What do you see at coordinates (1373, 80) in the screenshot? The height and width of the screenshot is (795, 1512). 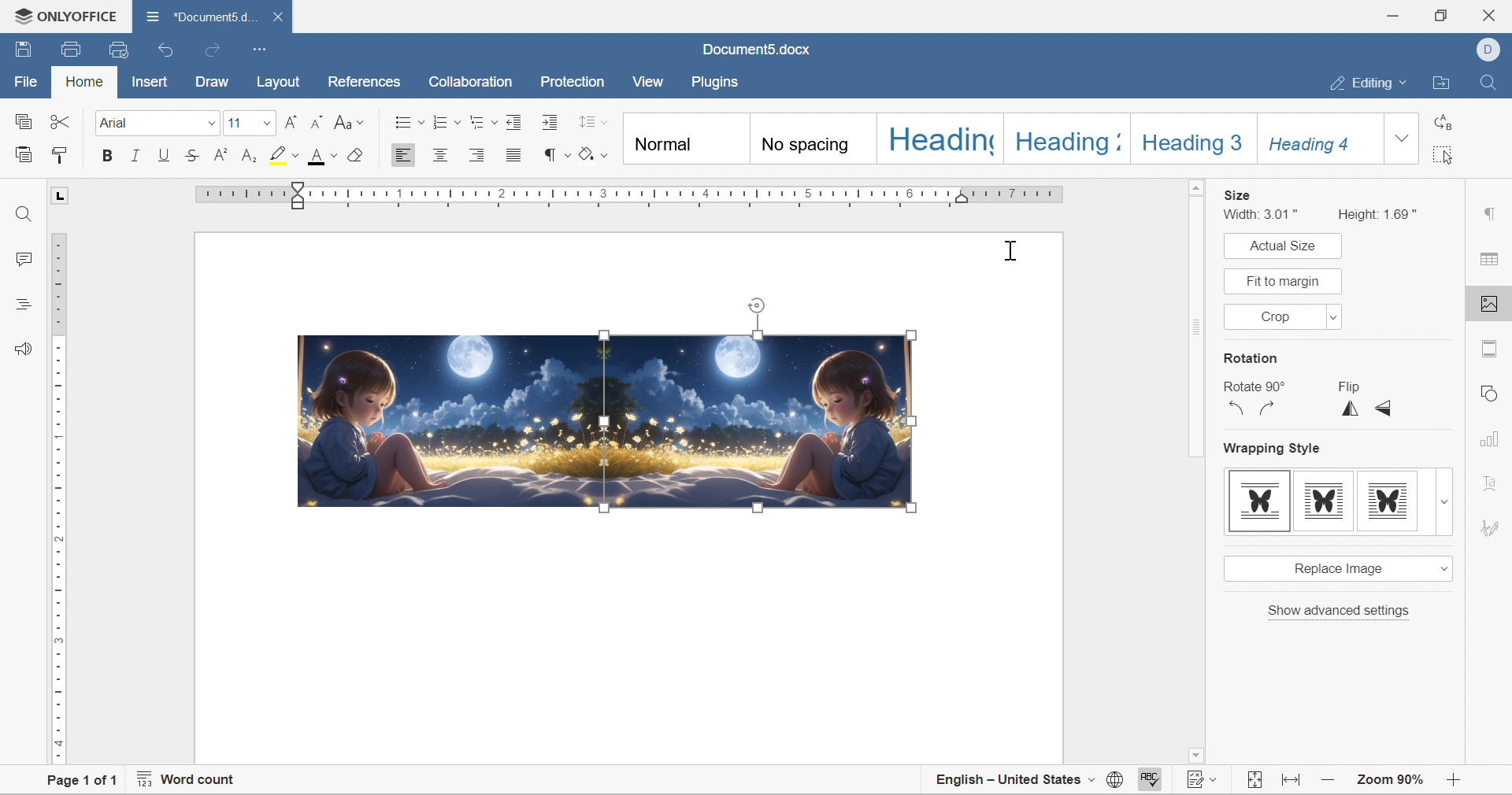 I see `editing` at bounding box center [1373, 80].